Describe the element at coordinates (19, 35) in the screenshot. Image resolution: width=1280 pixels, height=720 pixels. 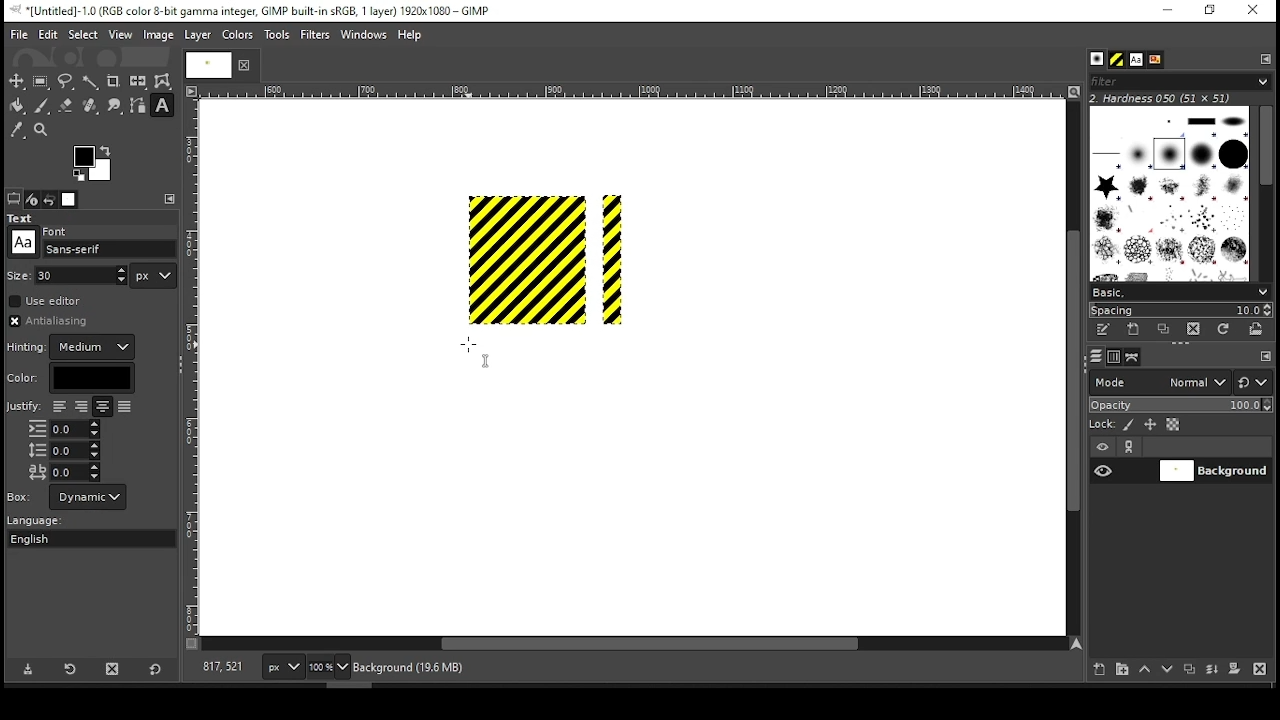
I see `file` at that location.